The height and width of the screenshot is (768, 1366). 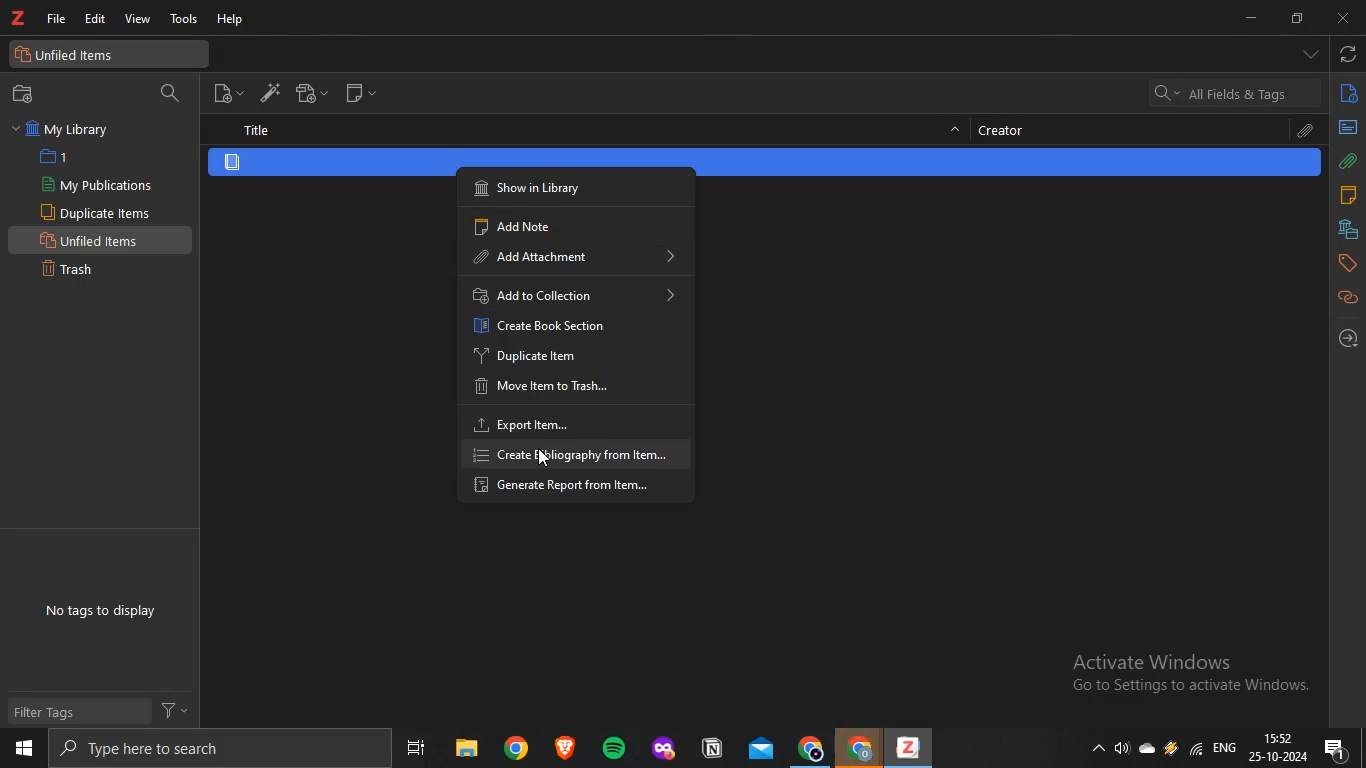 What do you see at coordinates (185, 21) in the screenshot?
I see `tools` at bounding box center [185, 21].